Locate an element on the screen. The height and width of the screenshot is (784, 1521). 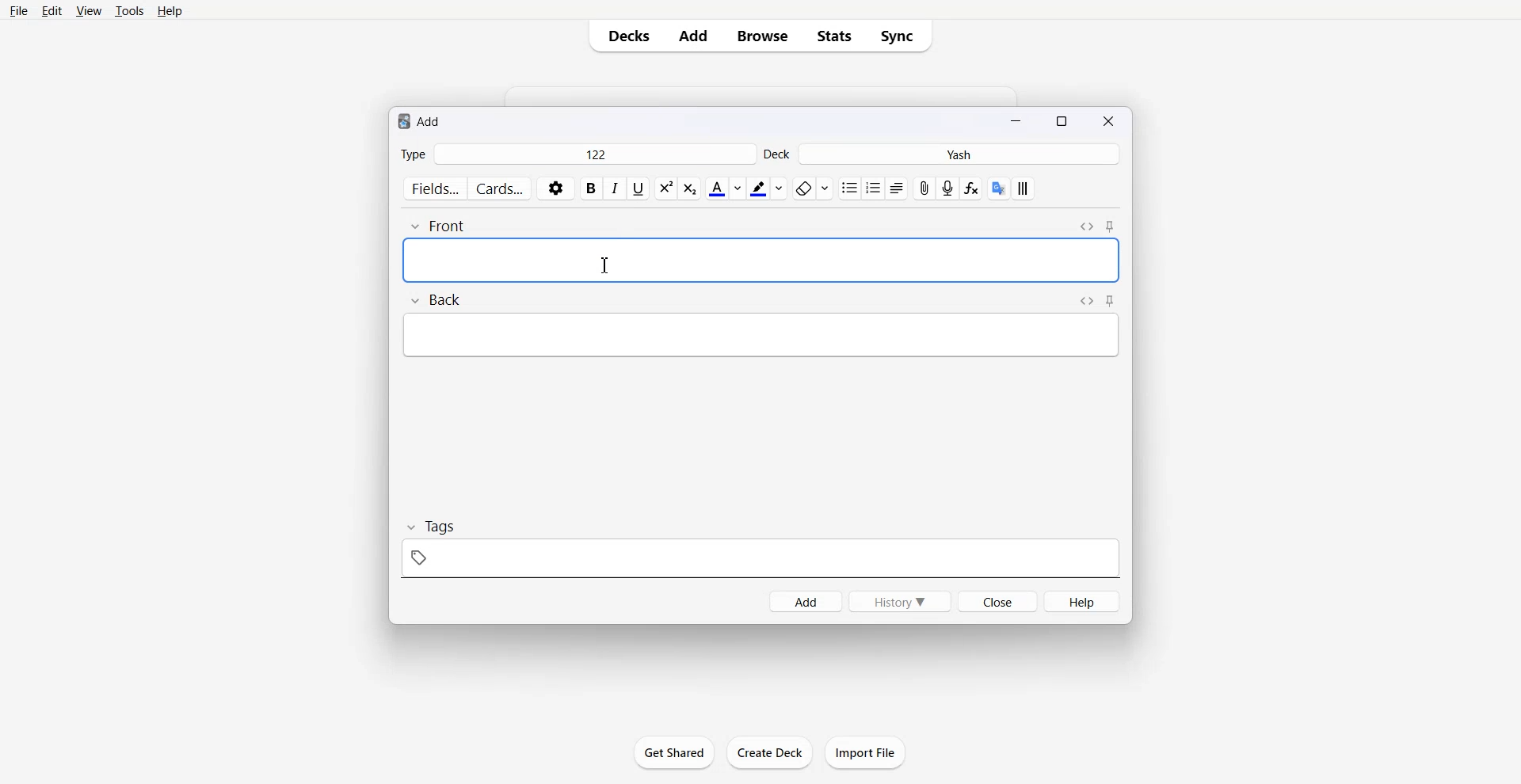
History is located at coordinates (900, 601).